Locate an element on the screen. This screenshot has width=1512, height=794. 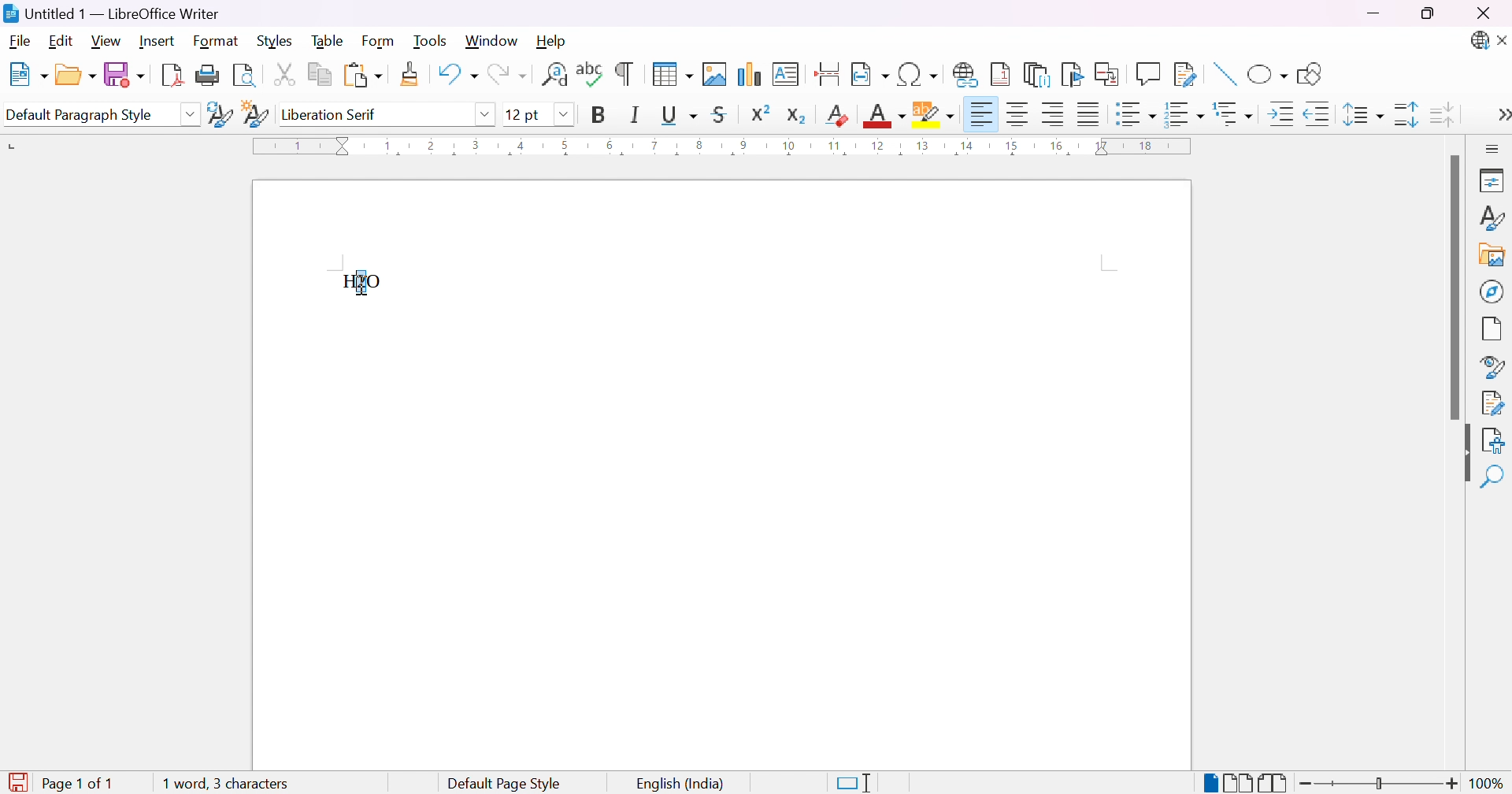
Find is located at coordinates (1492, 478).